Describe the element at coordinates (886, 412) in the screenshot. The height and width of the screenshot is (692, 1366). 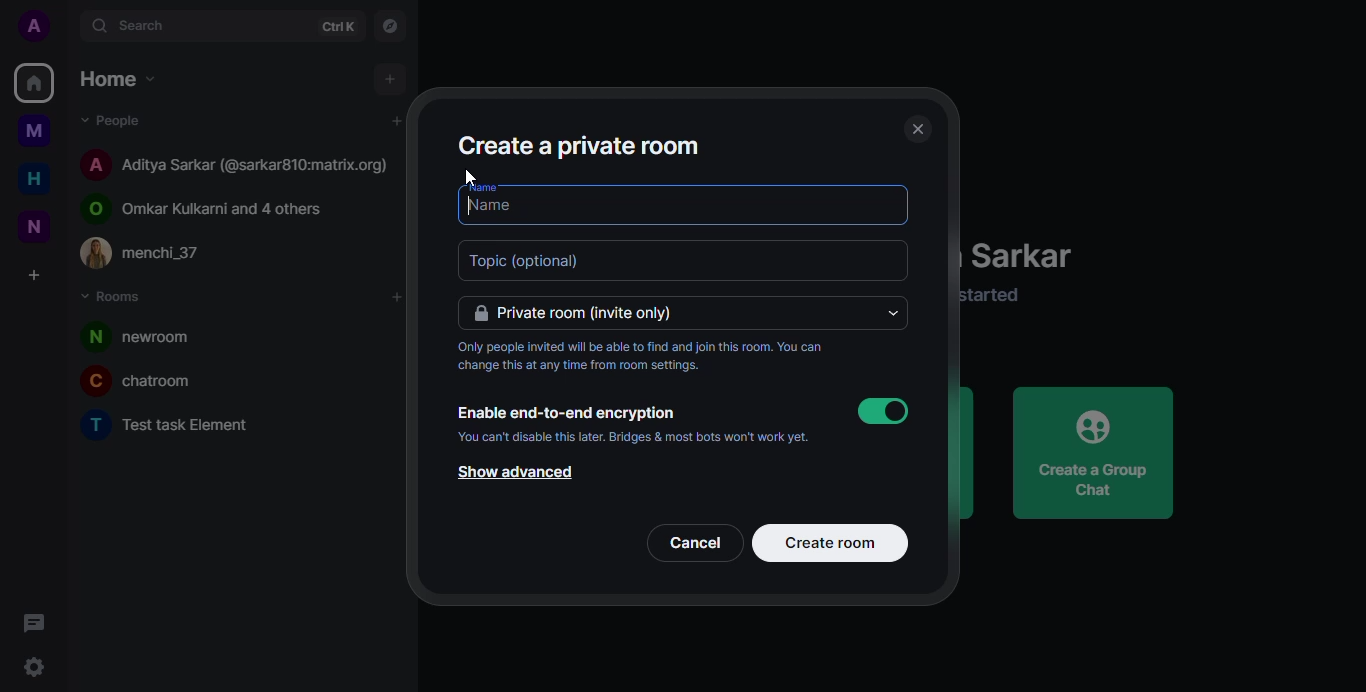
I see `enabled` at that location.